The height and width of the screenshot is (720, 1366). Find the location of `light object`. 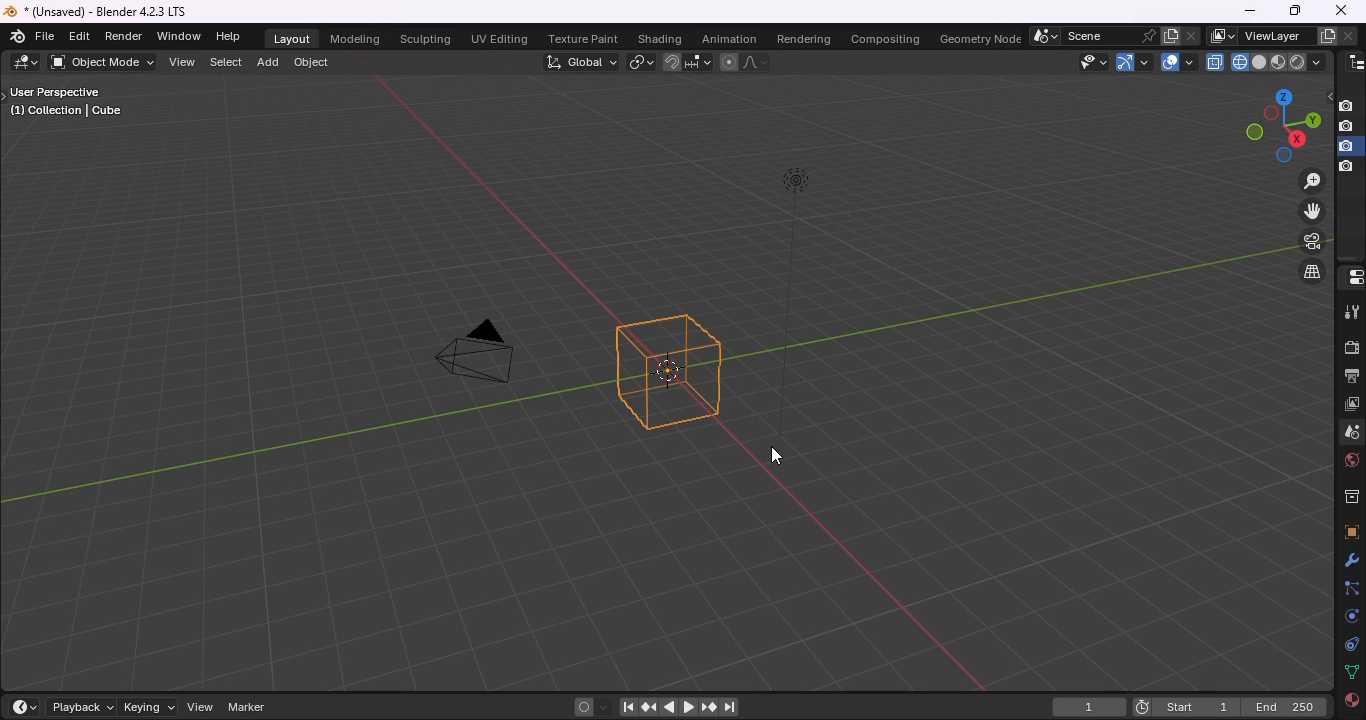

light object is located at coordinates (800, 302).